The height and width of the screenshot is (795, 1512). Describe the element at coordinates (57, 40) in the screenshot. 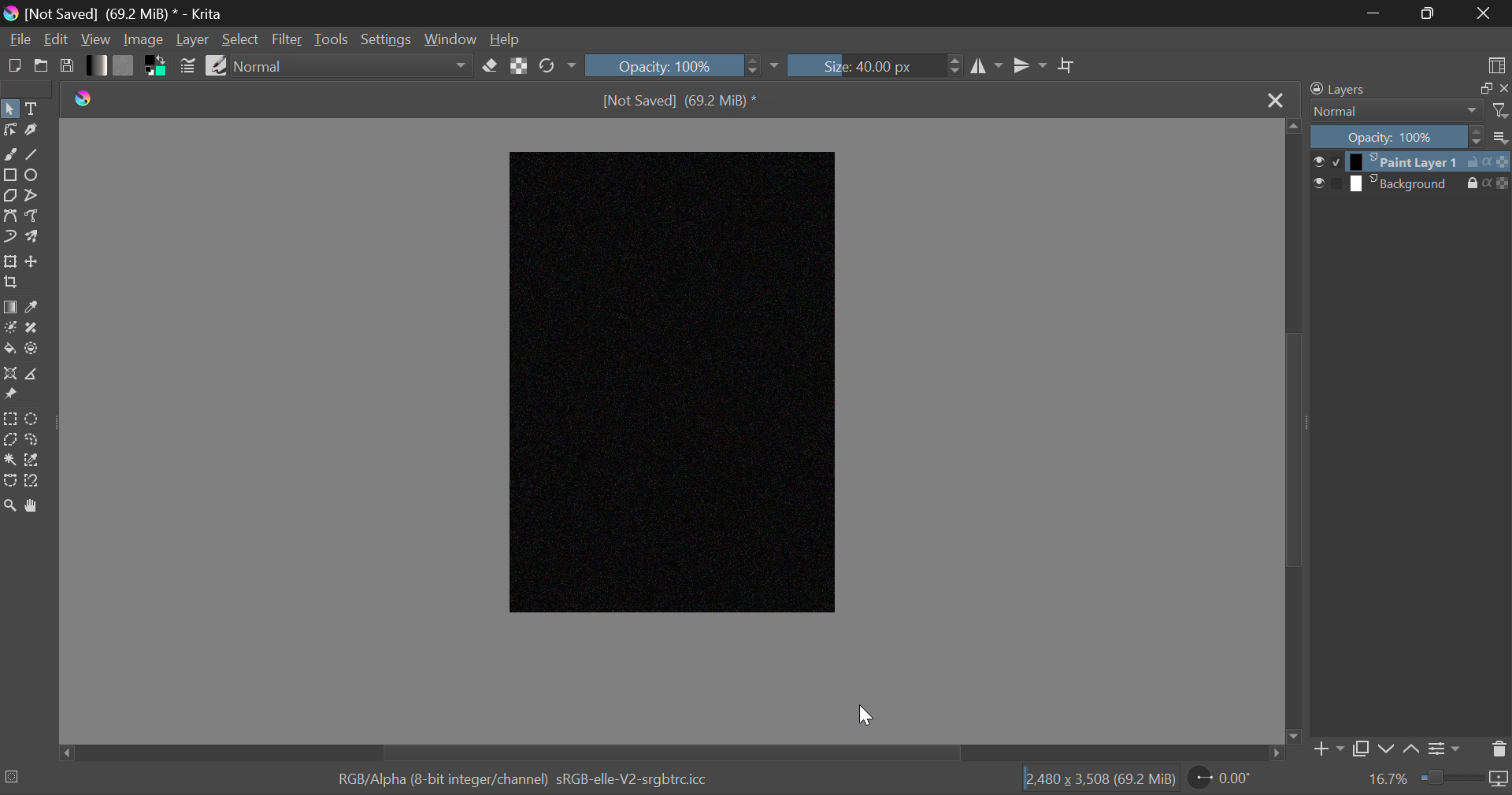

I see `Edit` at that location.